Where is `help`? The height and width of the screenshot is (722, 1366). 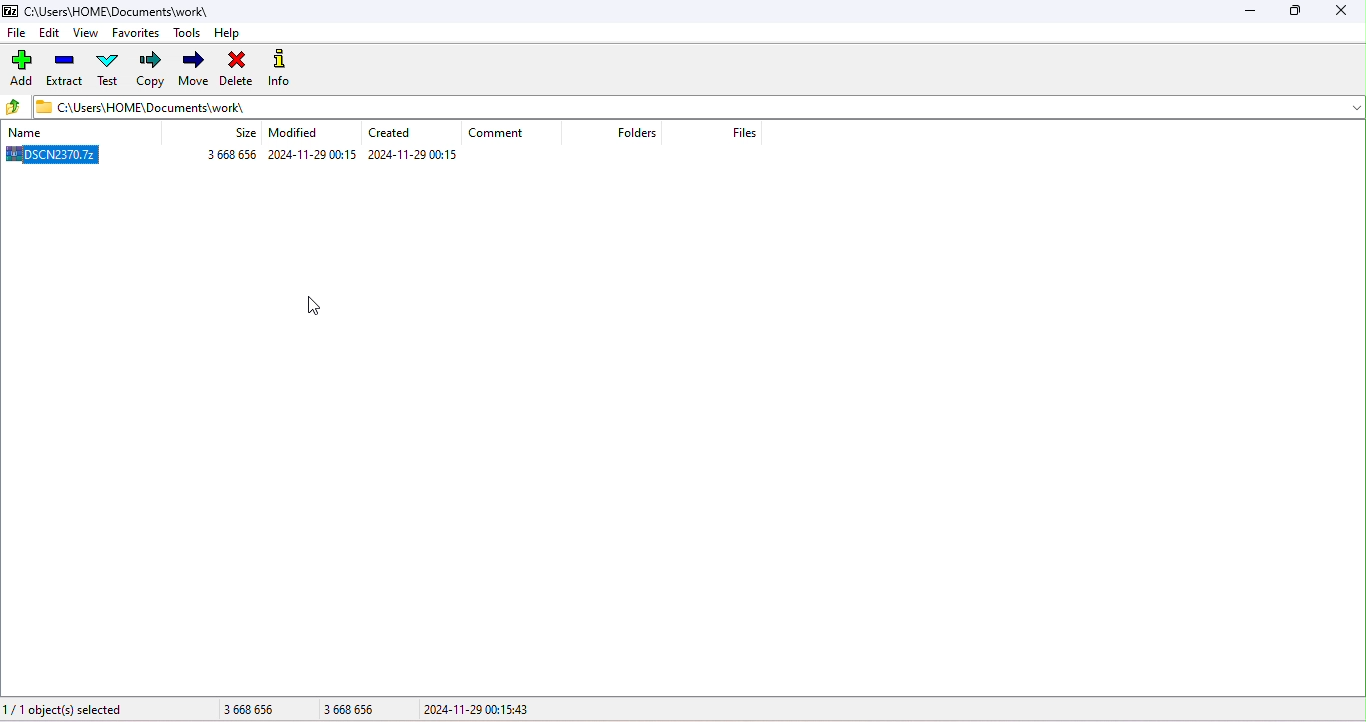 help is located at coordinates (231, 36).